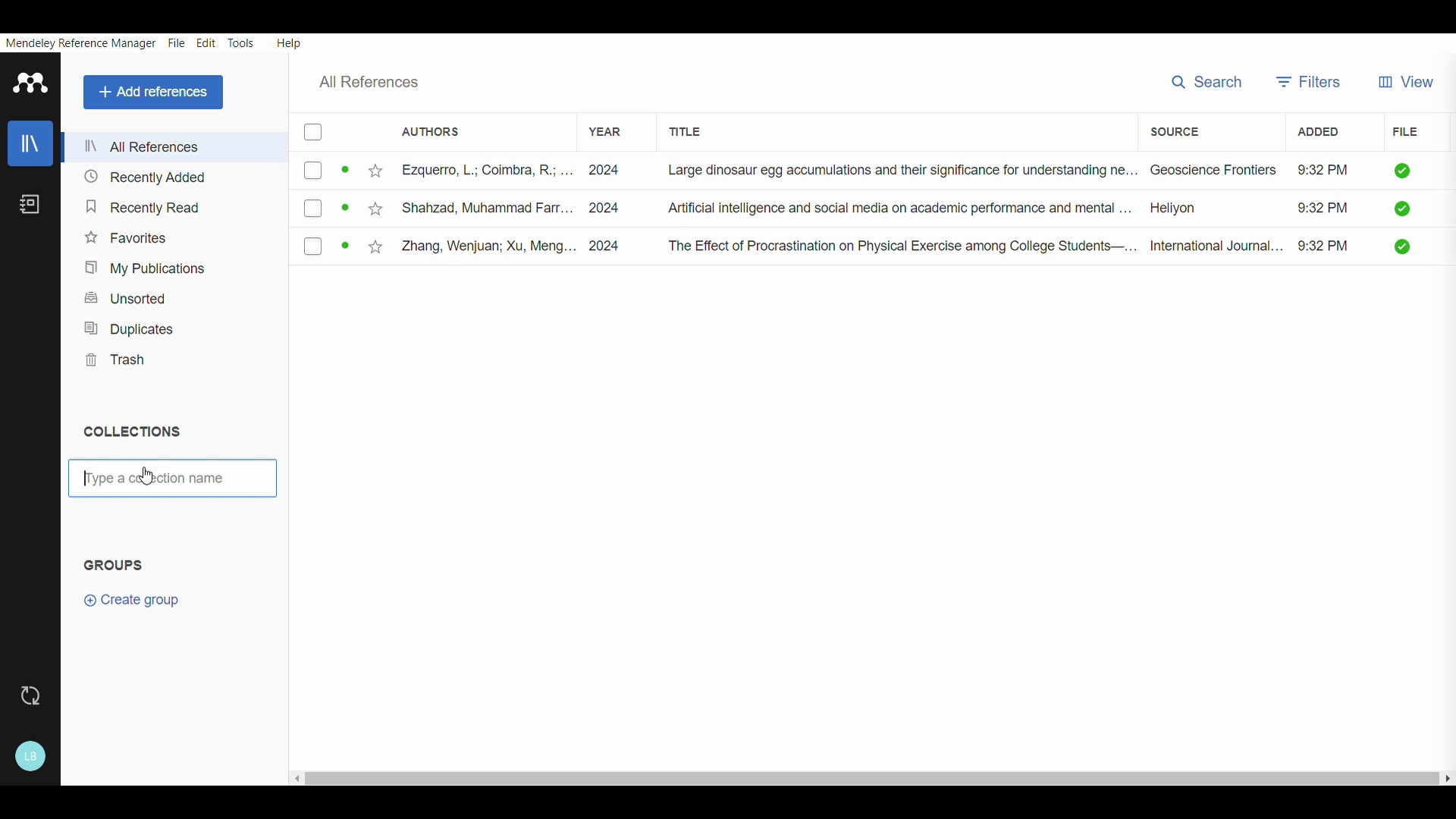 This screenshot has width=1456, height=819. Describe the element at coordinates (139, 265) in the screenshot. I see `My Publications` at that location.